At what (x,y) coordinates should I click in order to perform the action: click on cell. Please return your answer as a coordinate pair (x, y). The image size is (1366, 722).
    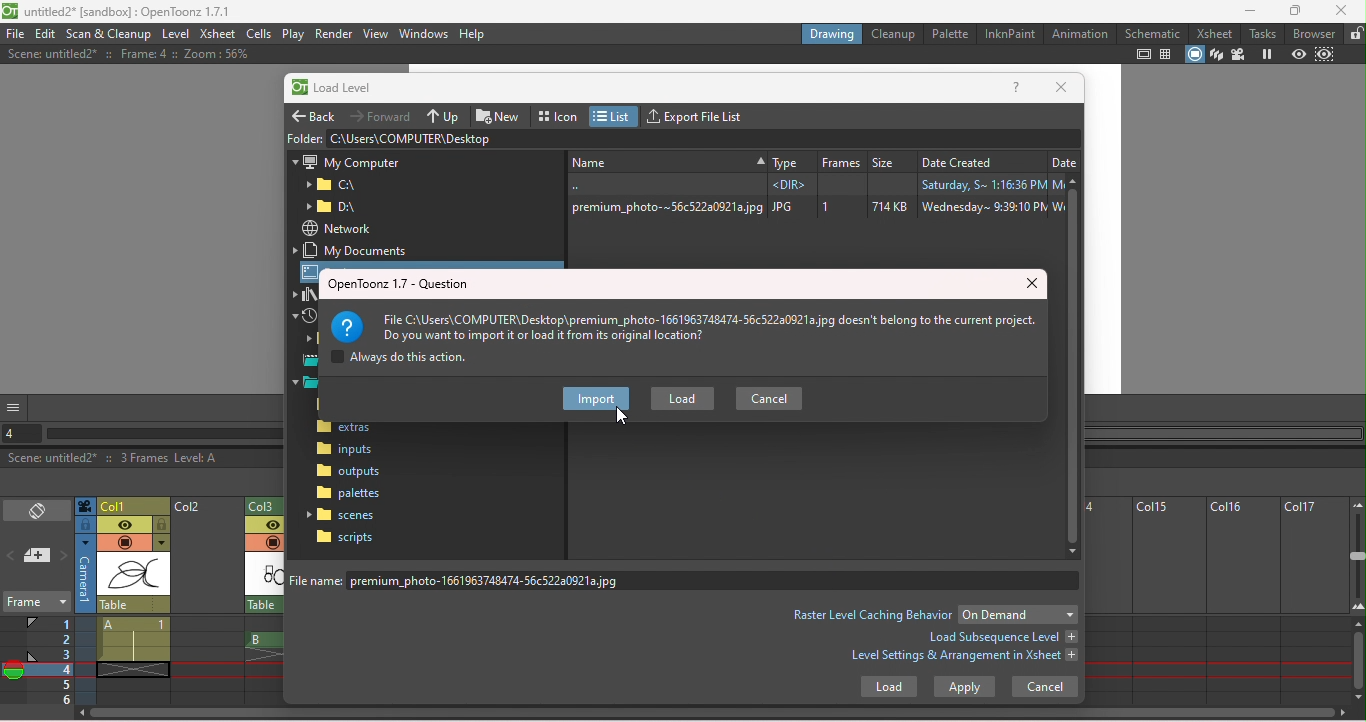
    Looking at the image, I should click on (130, 669).